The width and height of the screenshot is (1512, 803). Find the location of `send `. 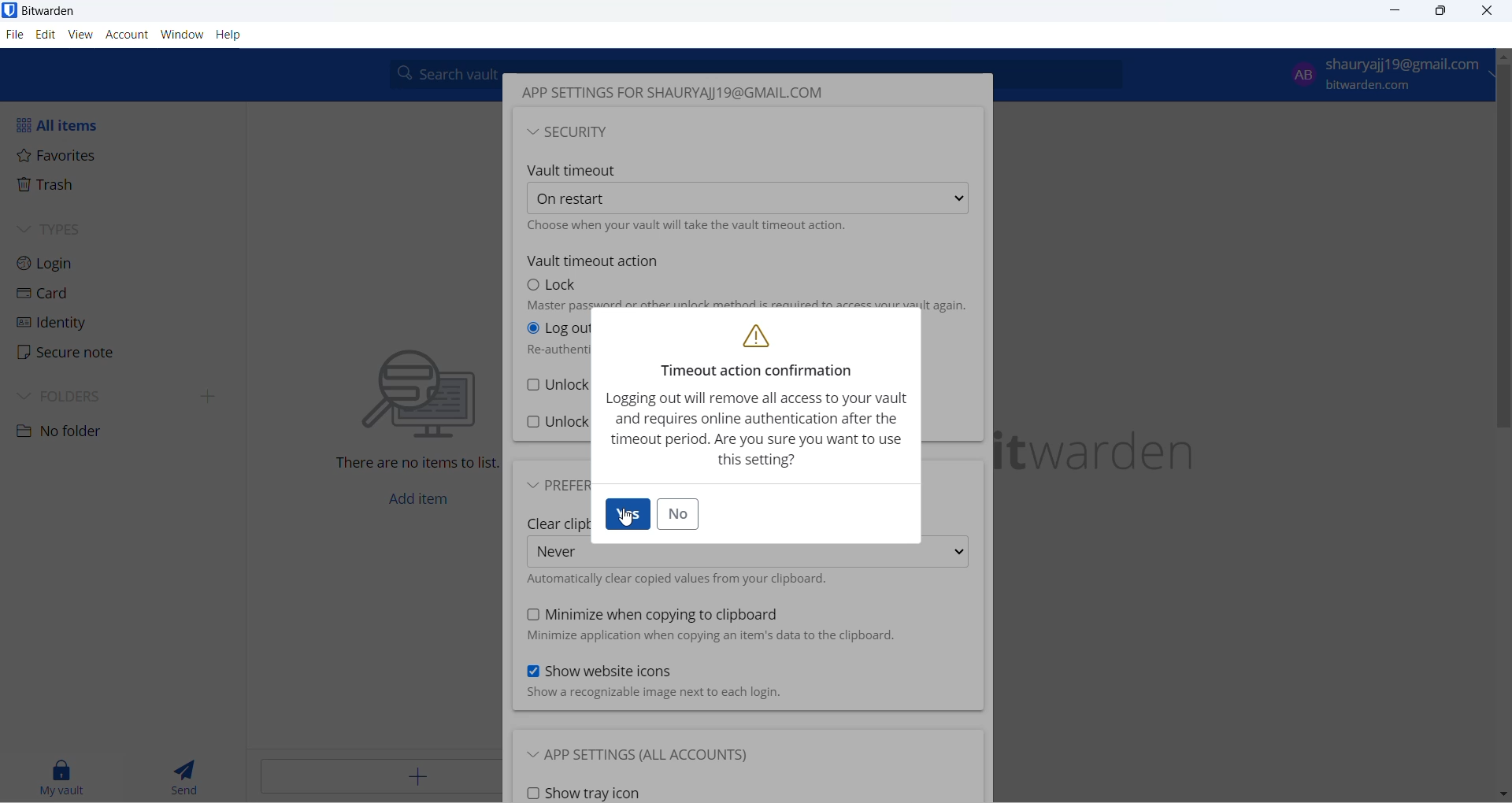

send  is located at coordinates (185, 776).